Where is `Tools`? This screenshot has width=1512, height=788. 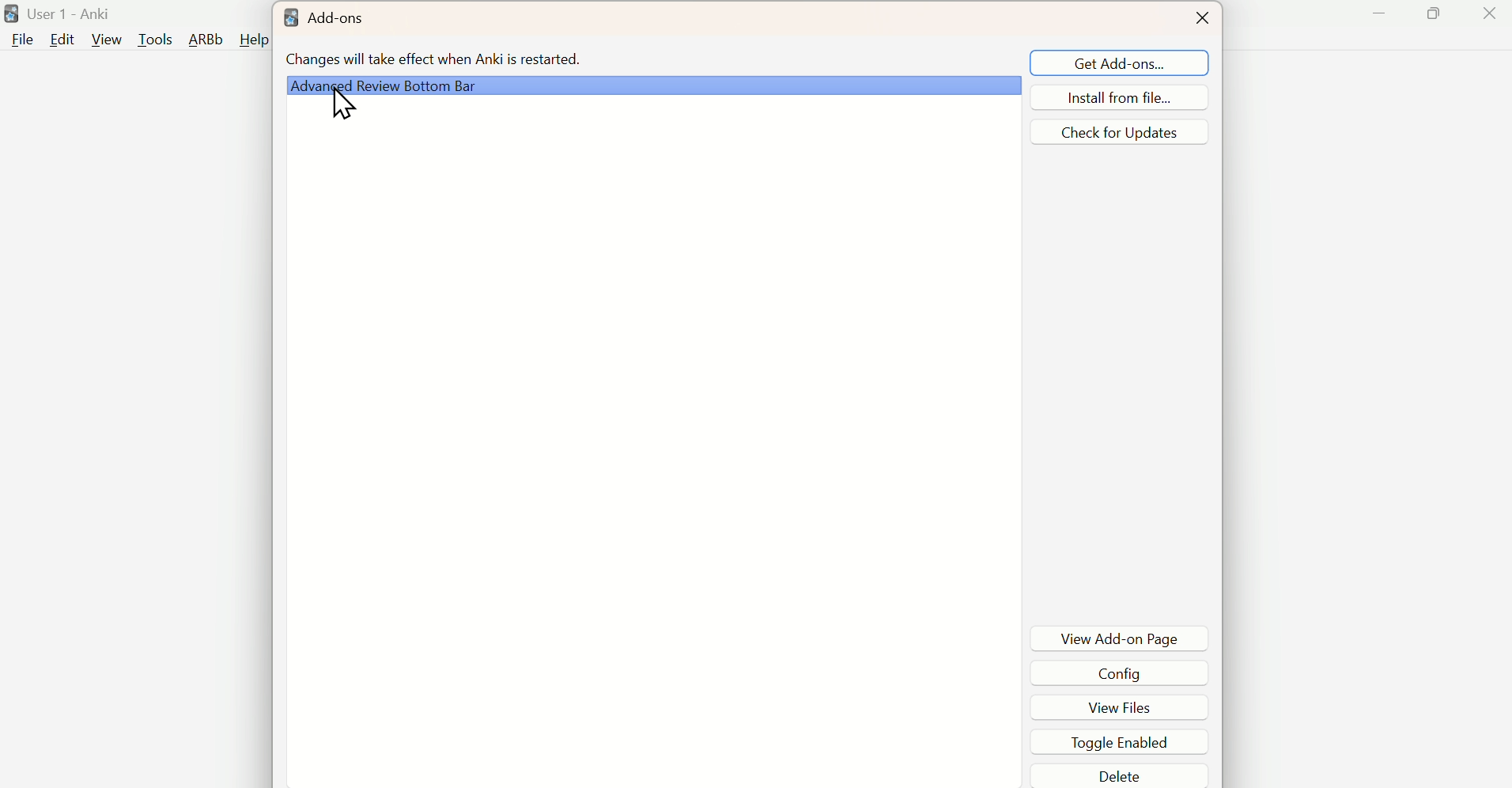
Tools is located at coordinates (157, 40).